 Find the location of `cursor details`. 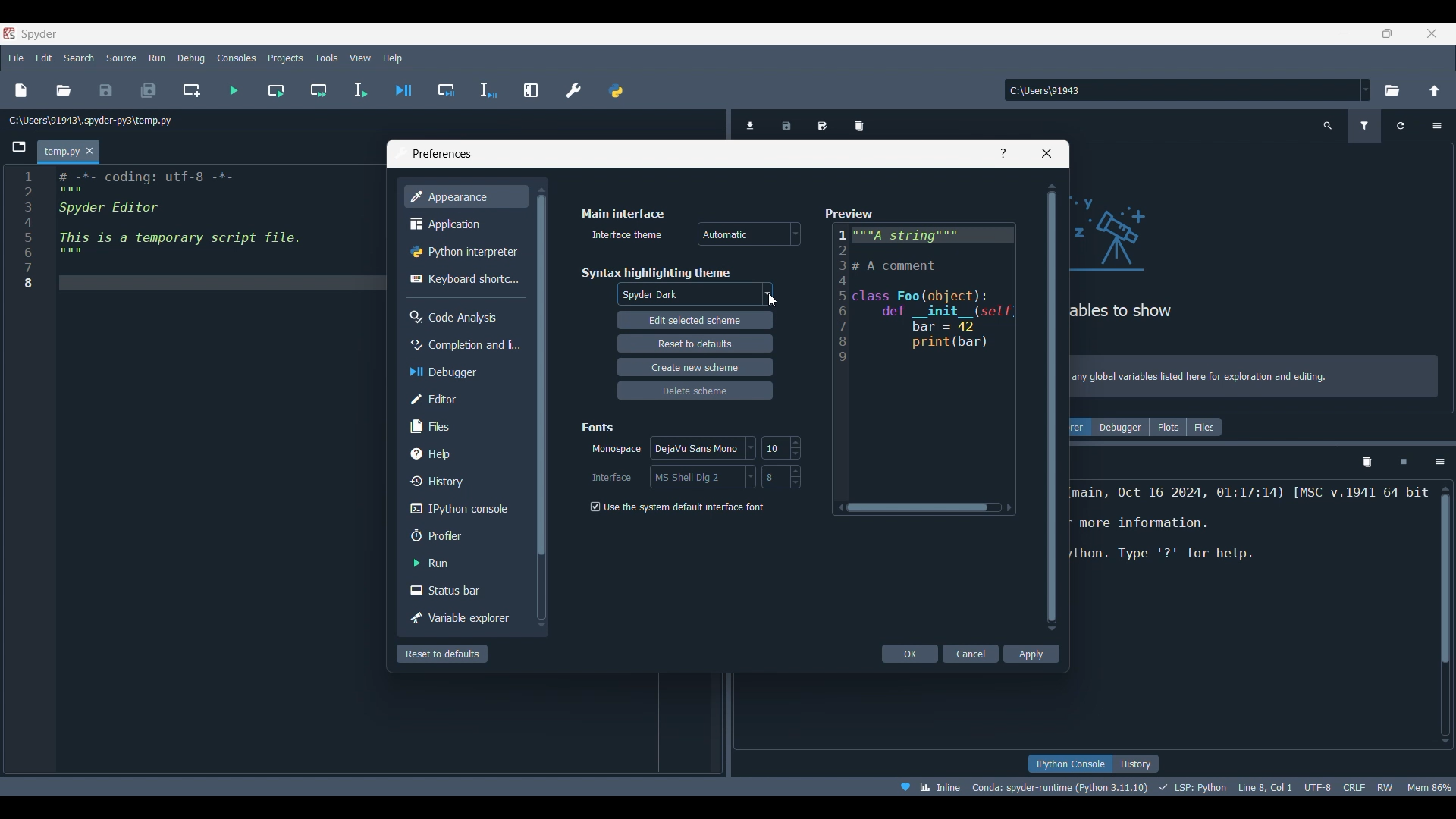

cursor details is located at coordinates (1263, 786).